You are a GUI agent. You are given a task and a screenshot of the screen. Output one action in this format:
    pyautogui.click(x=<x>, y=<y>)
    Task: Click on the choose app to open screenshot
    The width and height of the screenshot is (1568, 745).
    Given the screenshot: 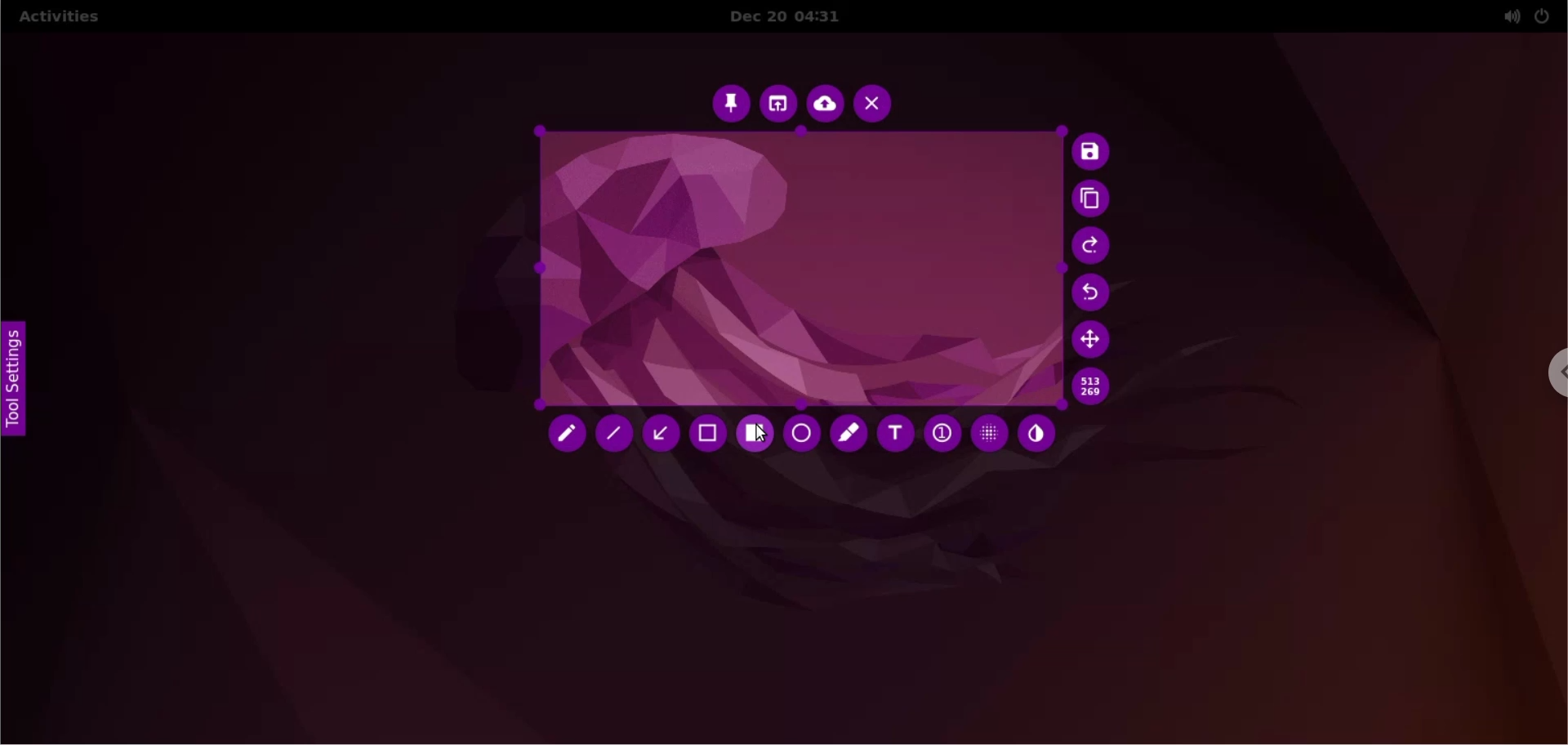 What is the action you would take?
    pyautogui.click(x=777, y=102)
    